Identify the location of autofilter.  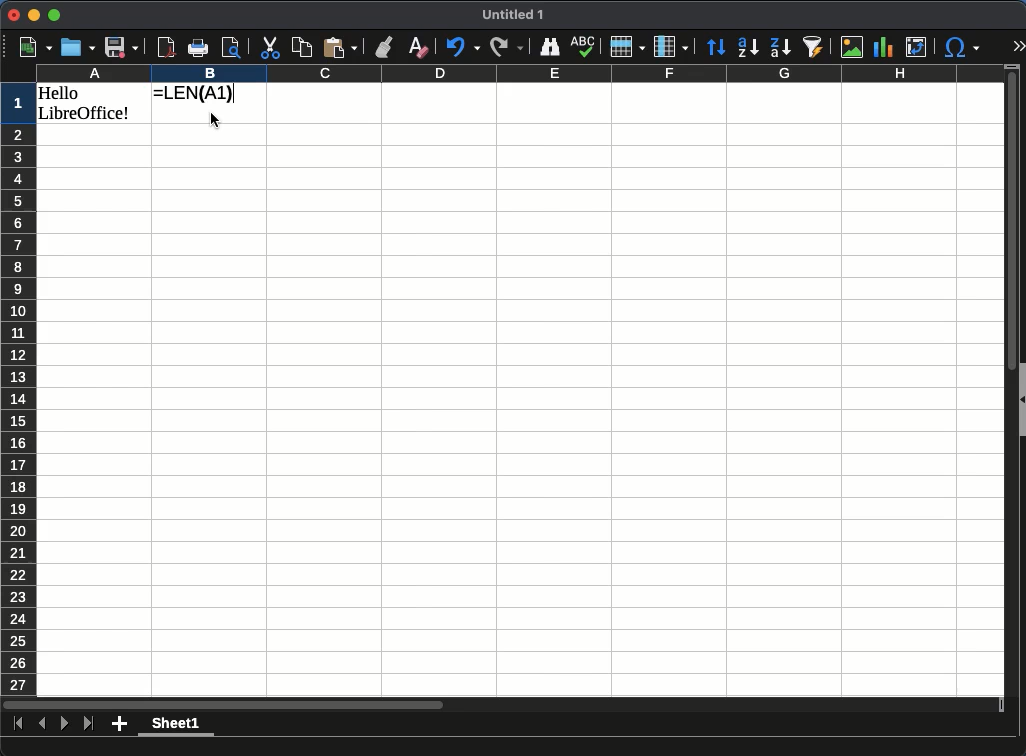
(810, 44).